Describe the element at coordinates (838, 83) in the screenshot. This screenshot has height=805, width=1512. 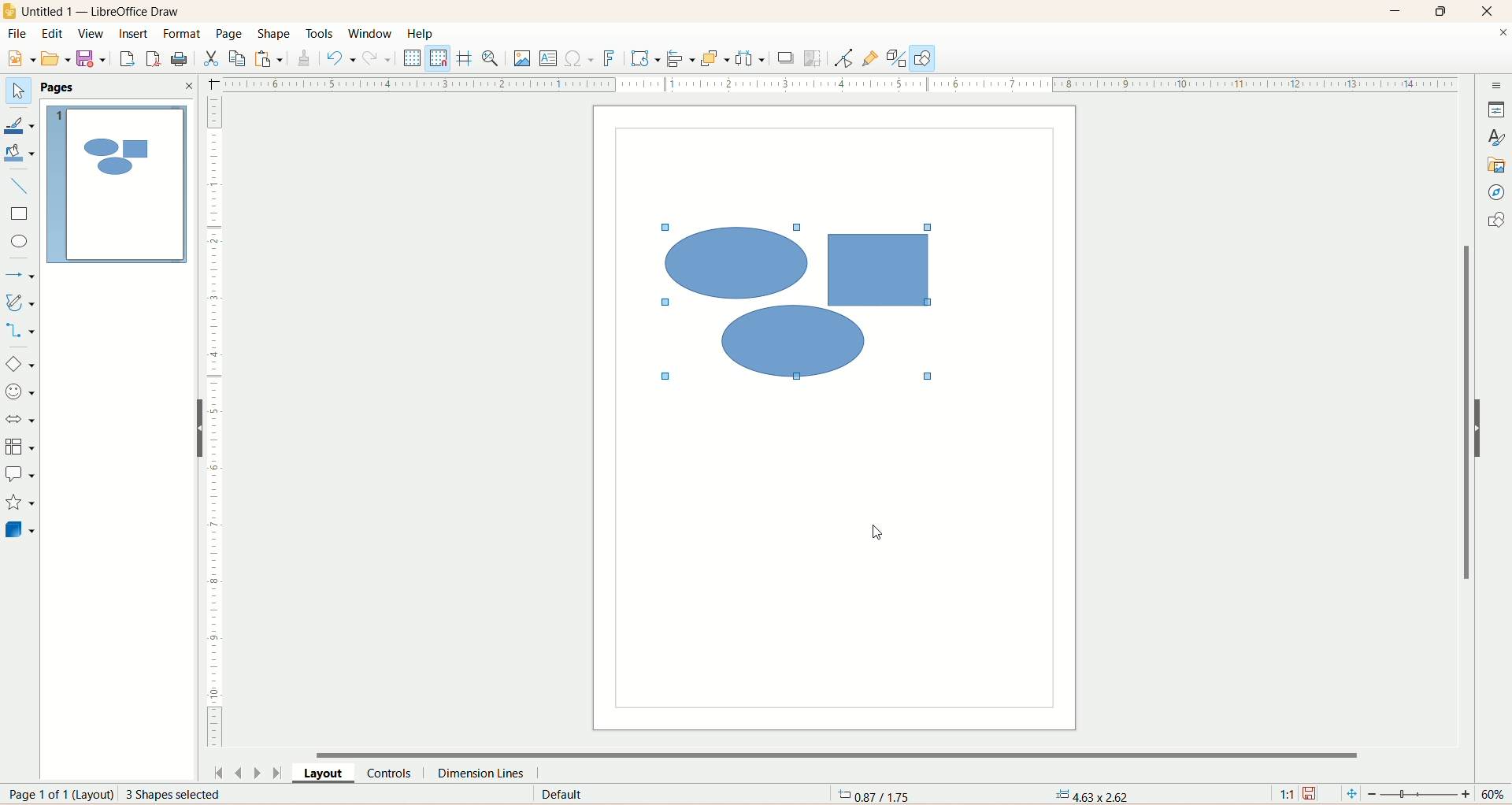
I see `scale bar` at that location.